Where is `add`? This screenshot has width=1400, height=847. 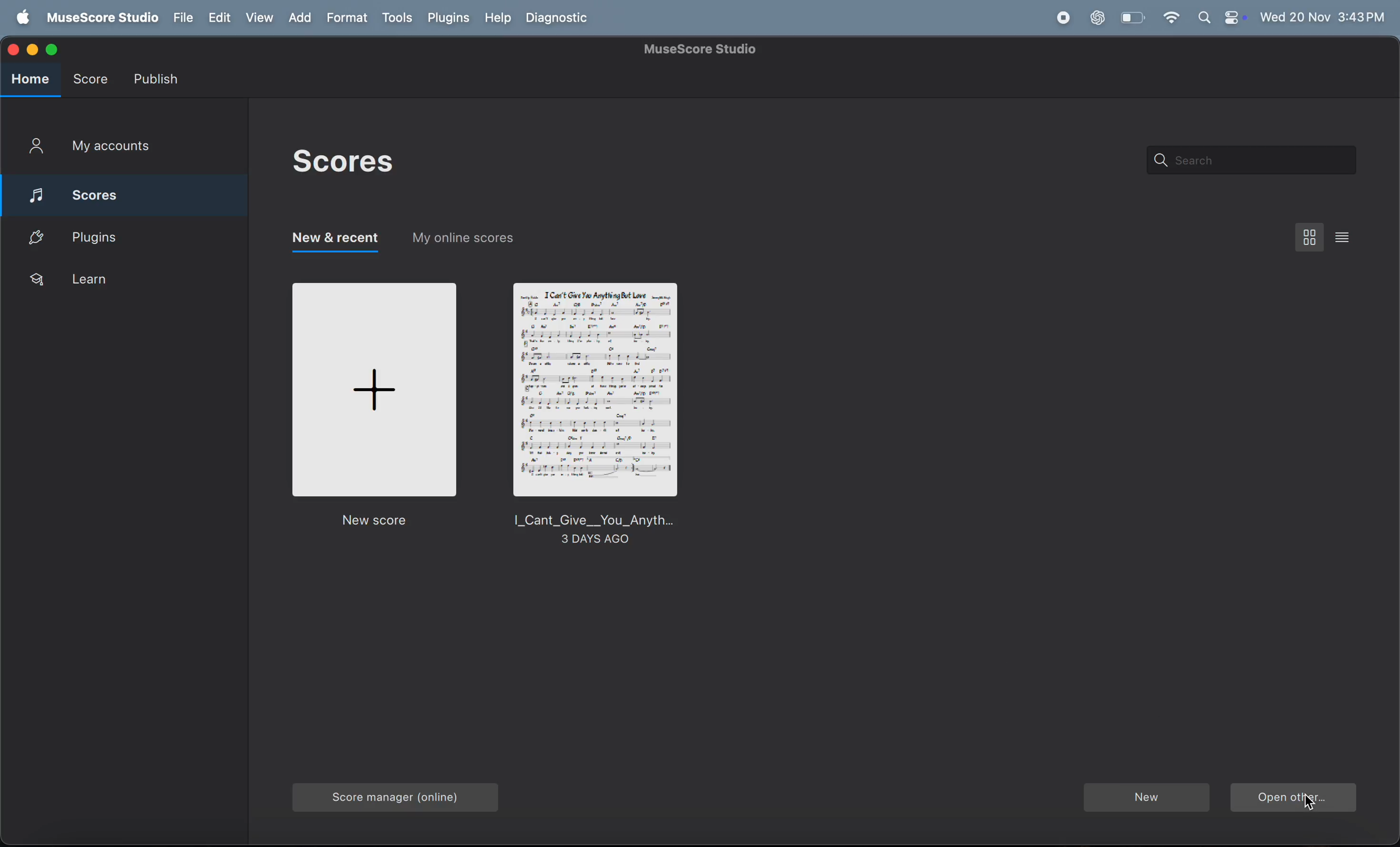
add is located at coordinates (299, 17).